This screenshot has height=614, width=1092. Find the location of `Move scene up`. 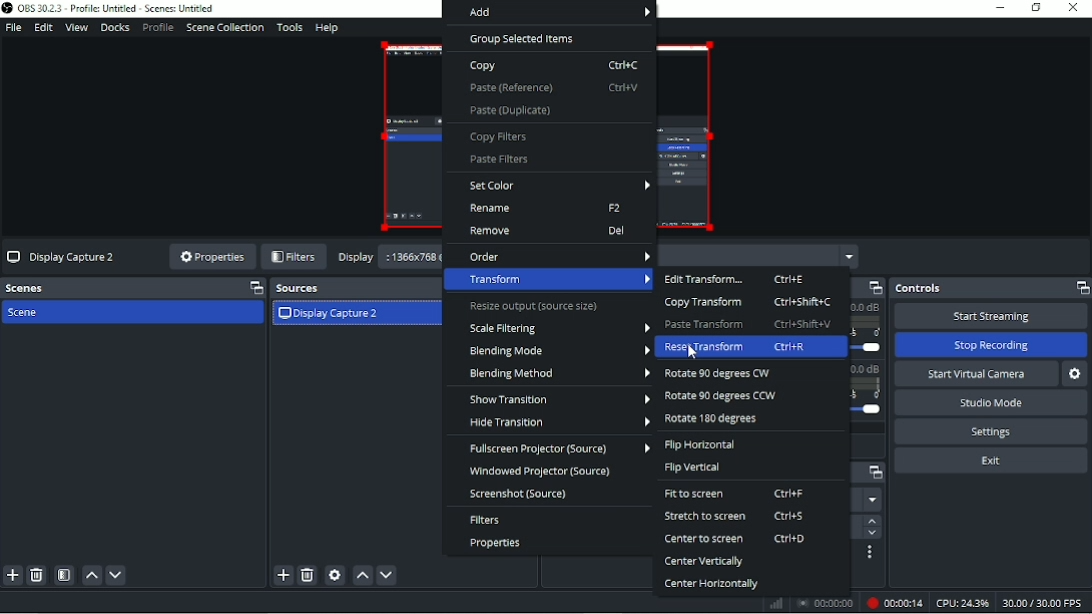

Move scene up is located at coordinates (93, 576).